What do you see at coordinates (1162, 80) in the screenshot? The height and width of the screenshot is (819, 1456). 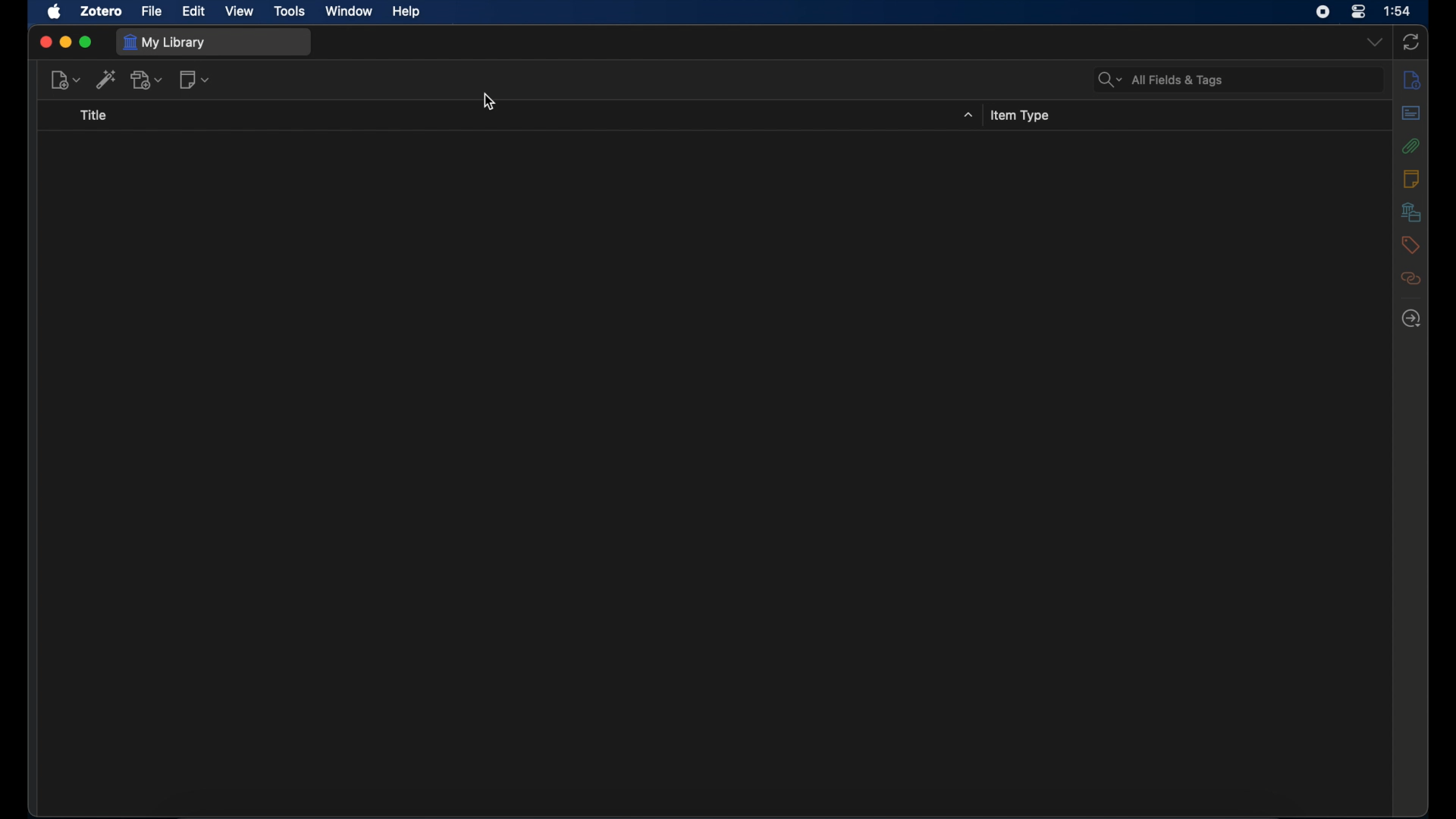 I see `search bar` at bounding box center [1162, 80].